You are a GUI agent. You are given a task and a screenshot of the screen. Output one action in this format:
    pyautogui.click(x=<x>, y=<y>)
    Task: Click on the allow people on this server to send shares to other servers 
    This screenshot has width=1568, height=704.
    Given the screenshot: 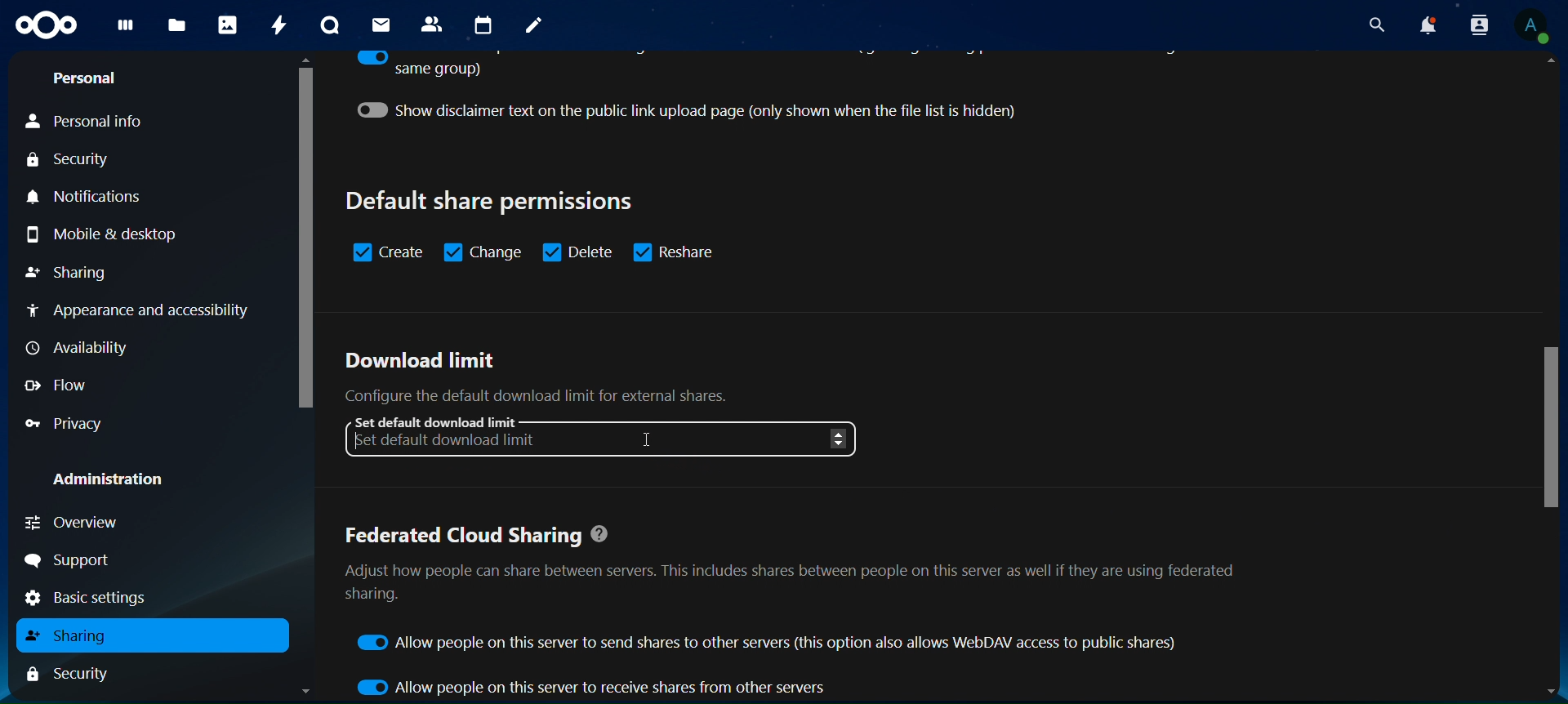 What is the action you would take?
    pyautogui.click(x=771, y=643)
    